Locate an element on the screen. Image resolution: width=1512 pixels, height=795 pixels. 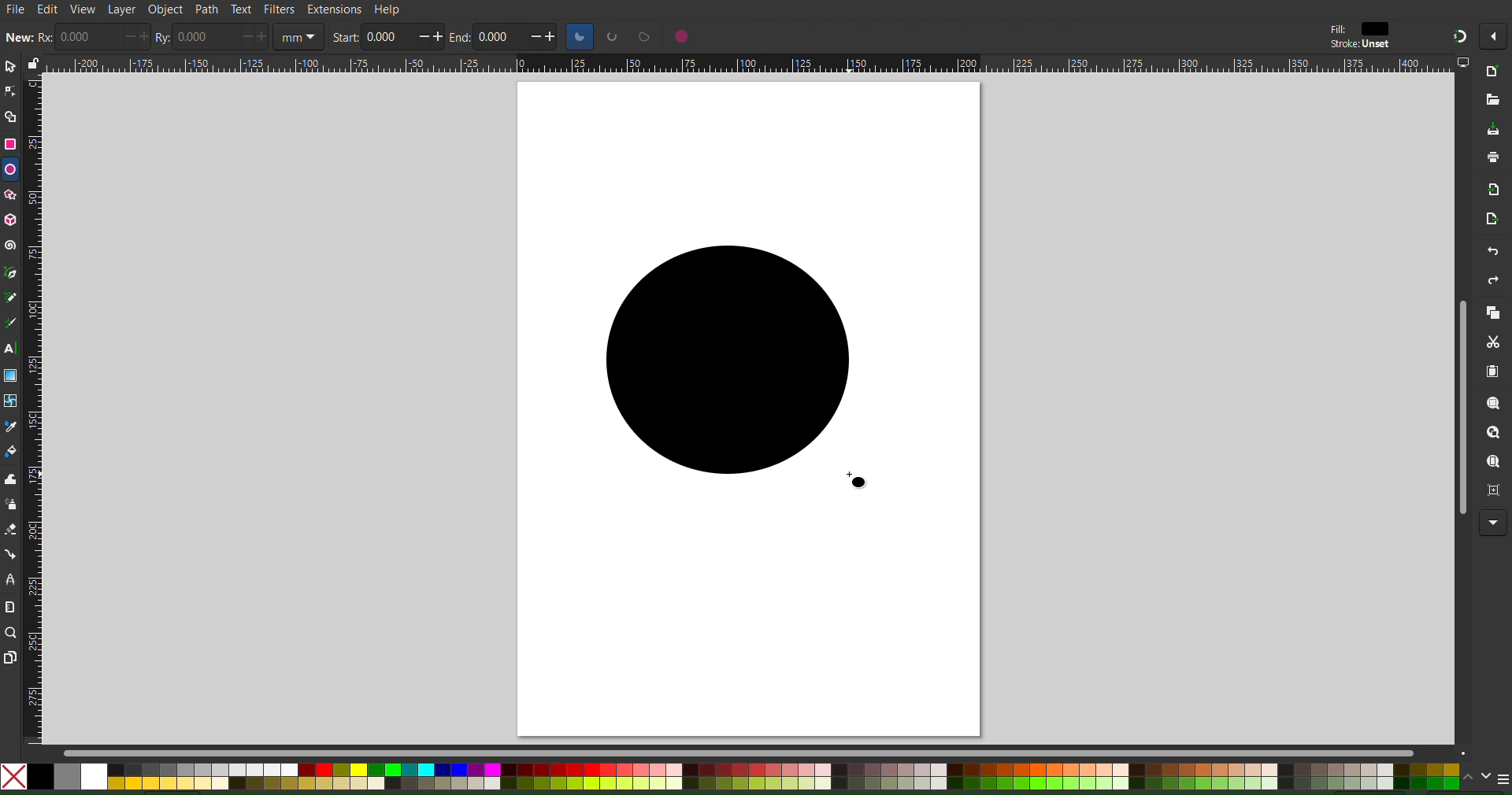
Snapping is located at coordinates (1455, 35).